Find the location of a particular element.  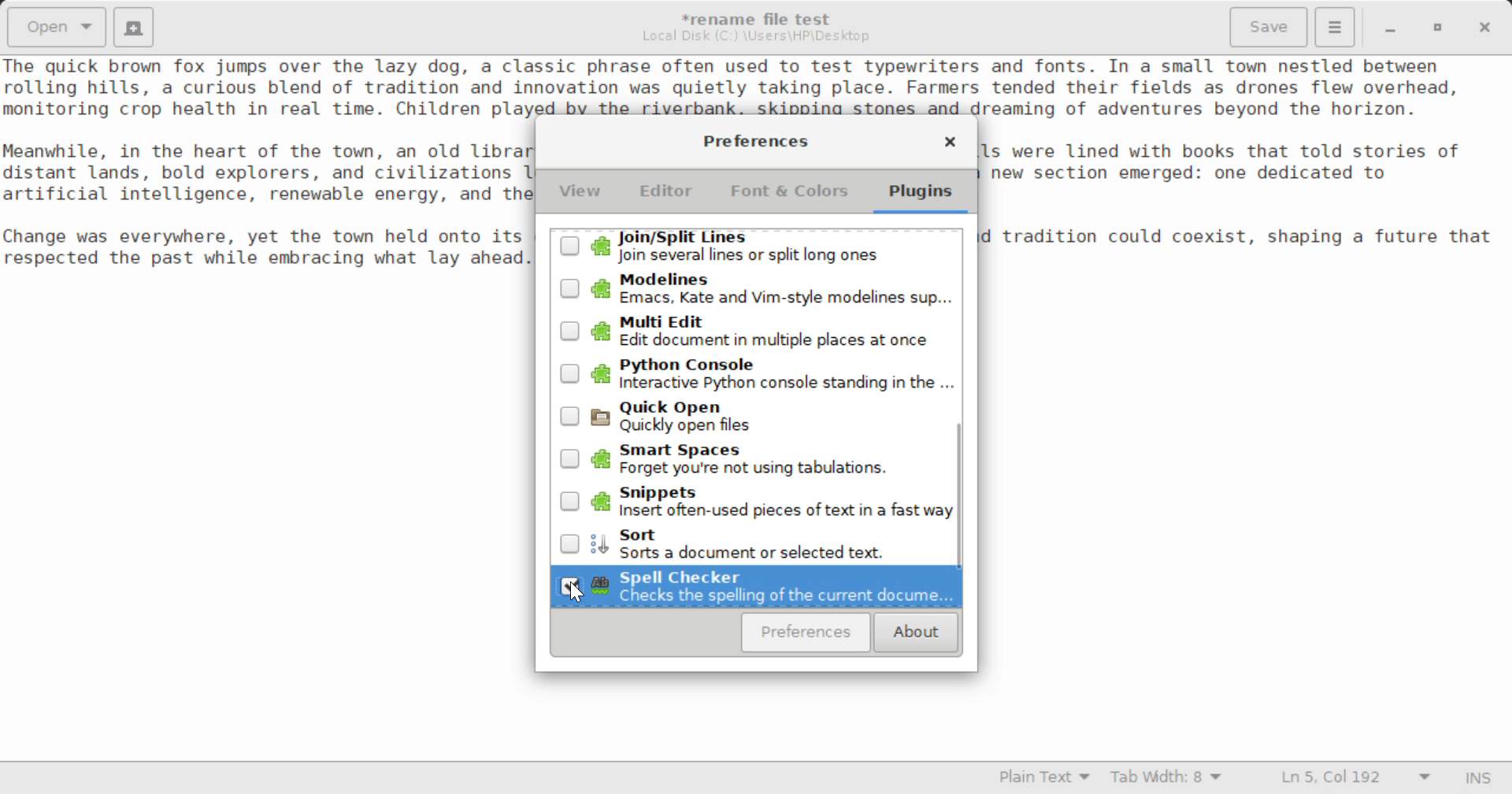

Font & Colors Tab is located at coordinates (789, 197).